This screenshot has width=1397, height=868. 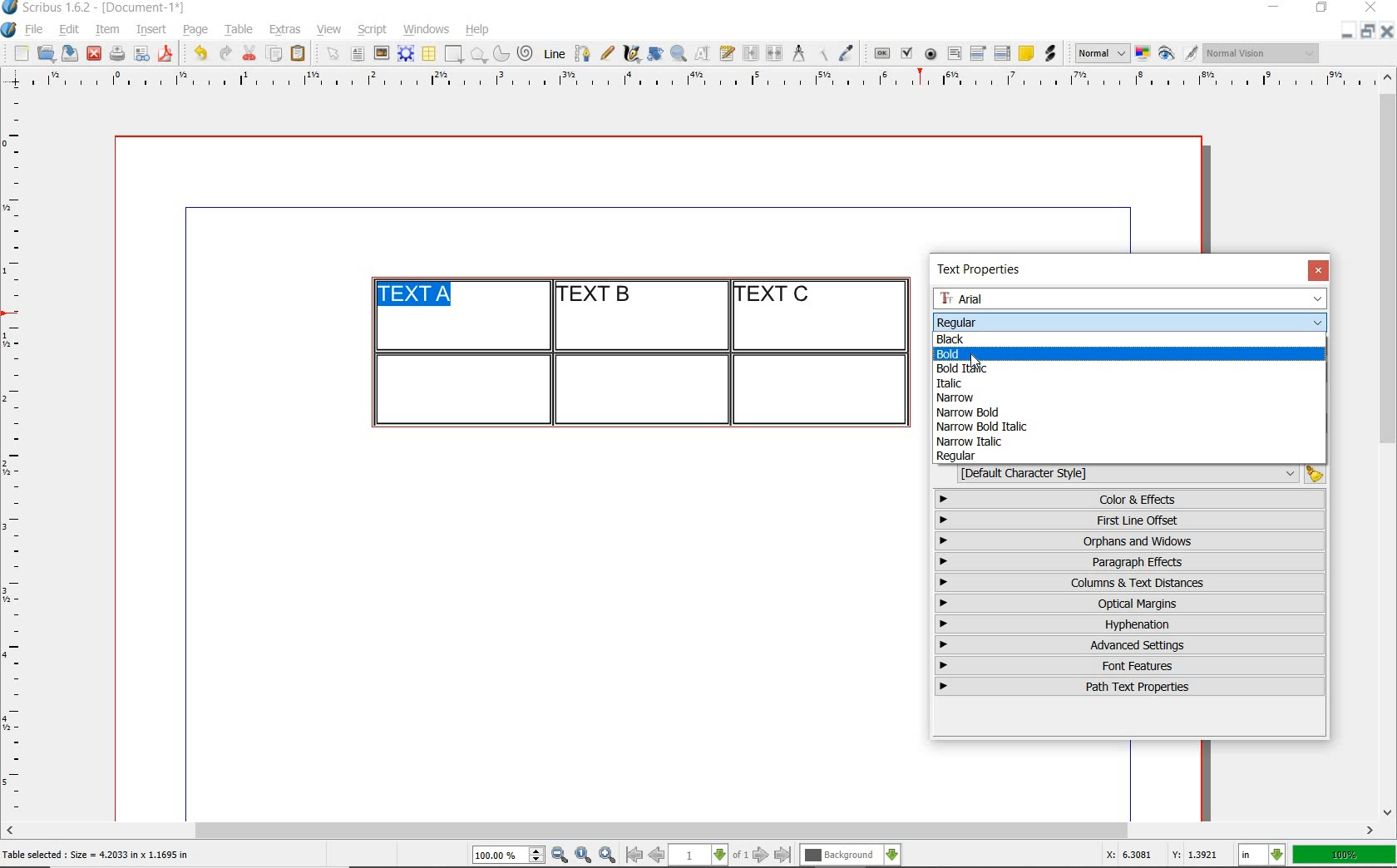 I want to click on cursor, so click(x=975, y=362).